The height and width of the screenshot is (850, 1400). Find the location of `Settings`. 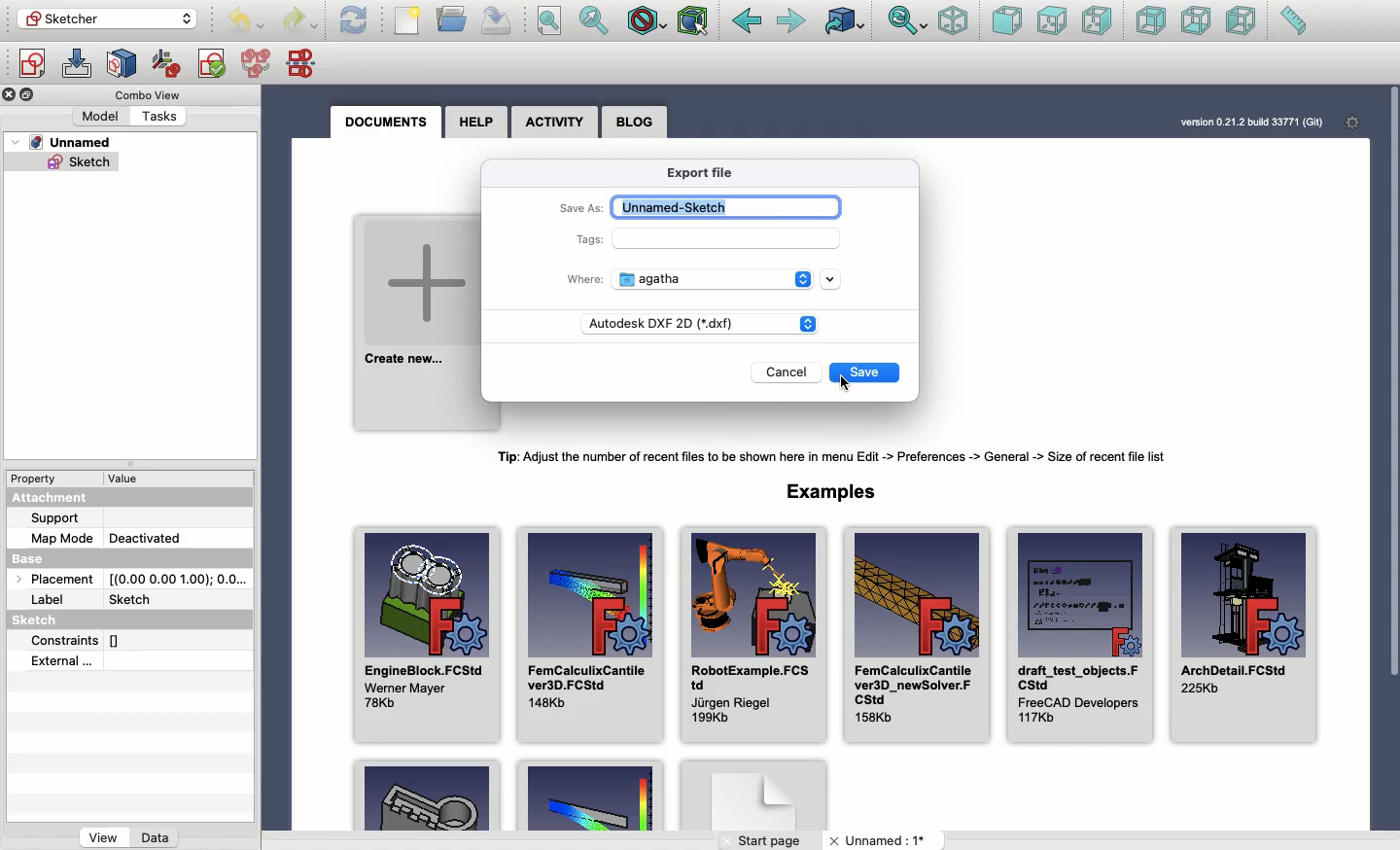

Settings is located at coordinates (1352, 124).